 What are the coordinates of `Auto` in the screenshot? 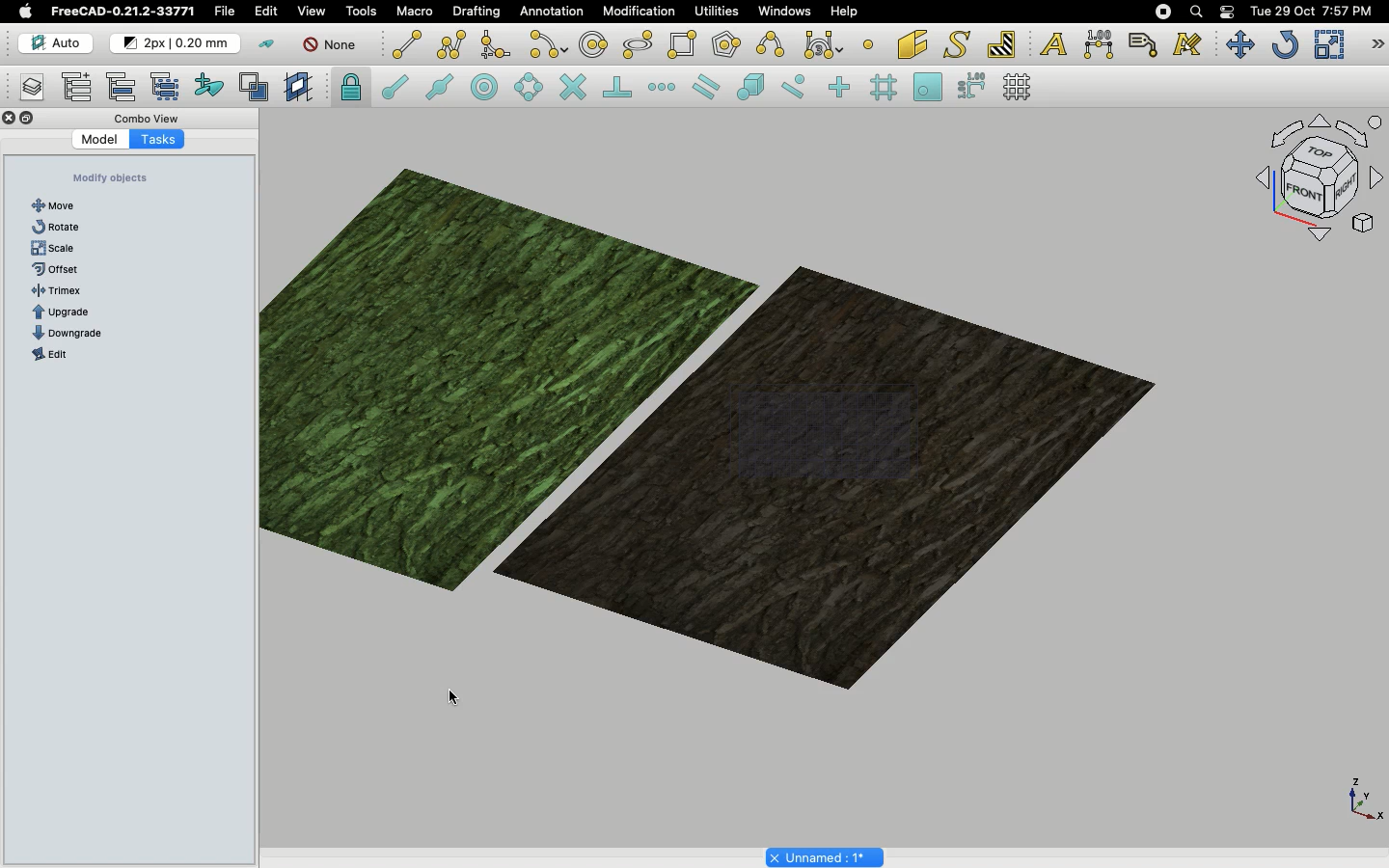 It's located at (57, 43).